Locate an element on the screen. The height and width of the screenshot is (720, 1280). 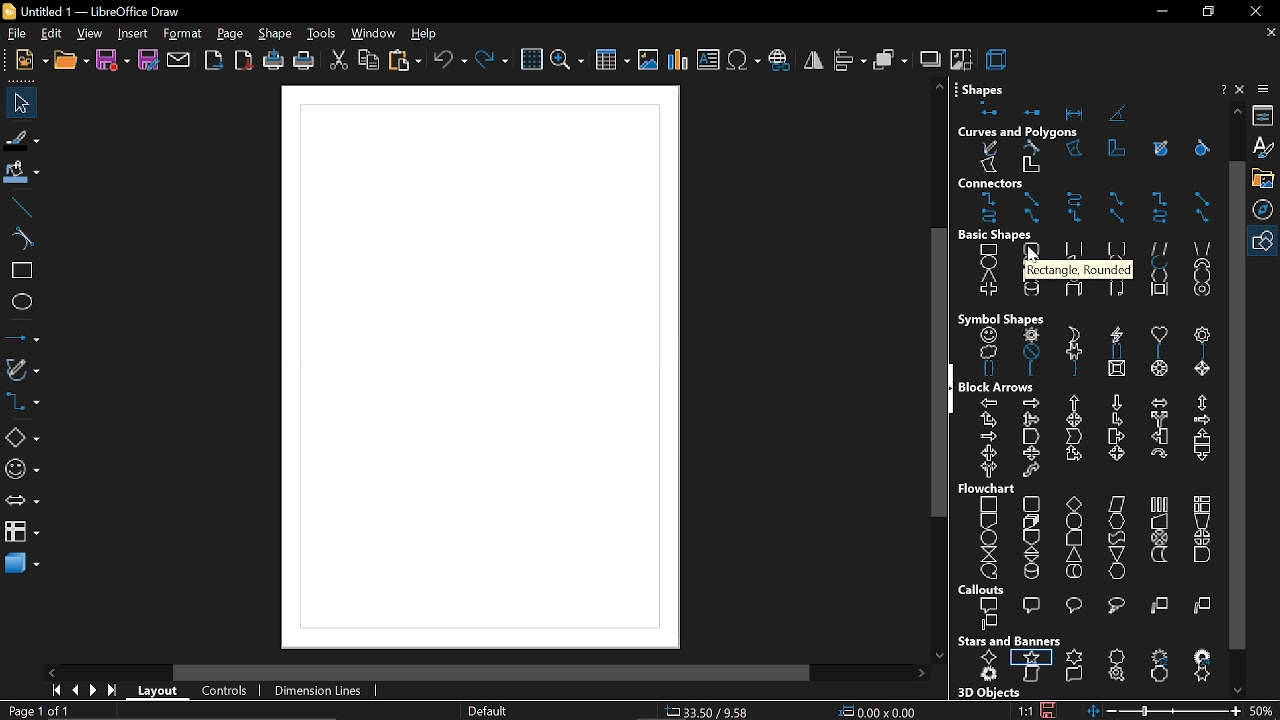
format is located at coordinates (182, 35).